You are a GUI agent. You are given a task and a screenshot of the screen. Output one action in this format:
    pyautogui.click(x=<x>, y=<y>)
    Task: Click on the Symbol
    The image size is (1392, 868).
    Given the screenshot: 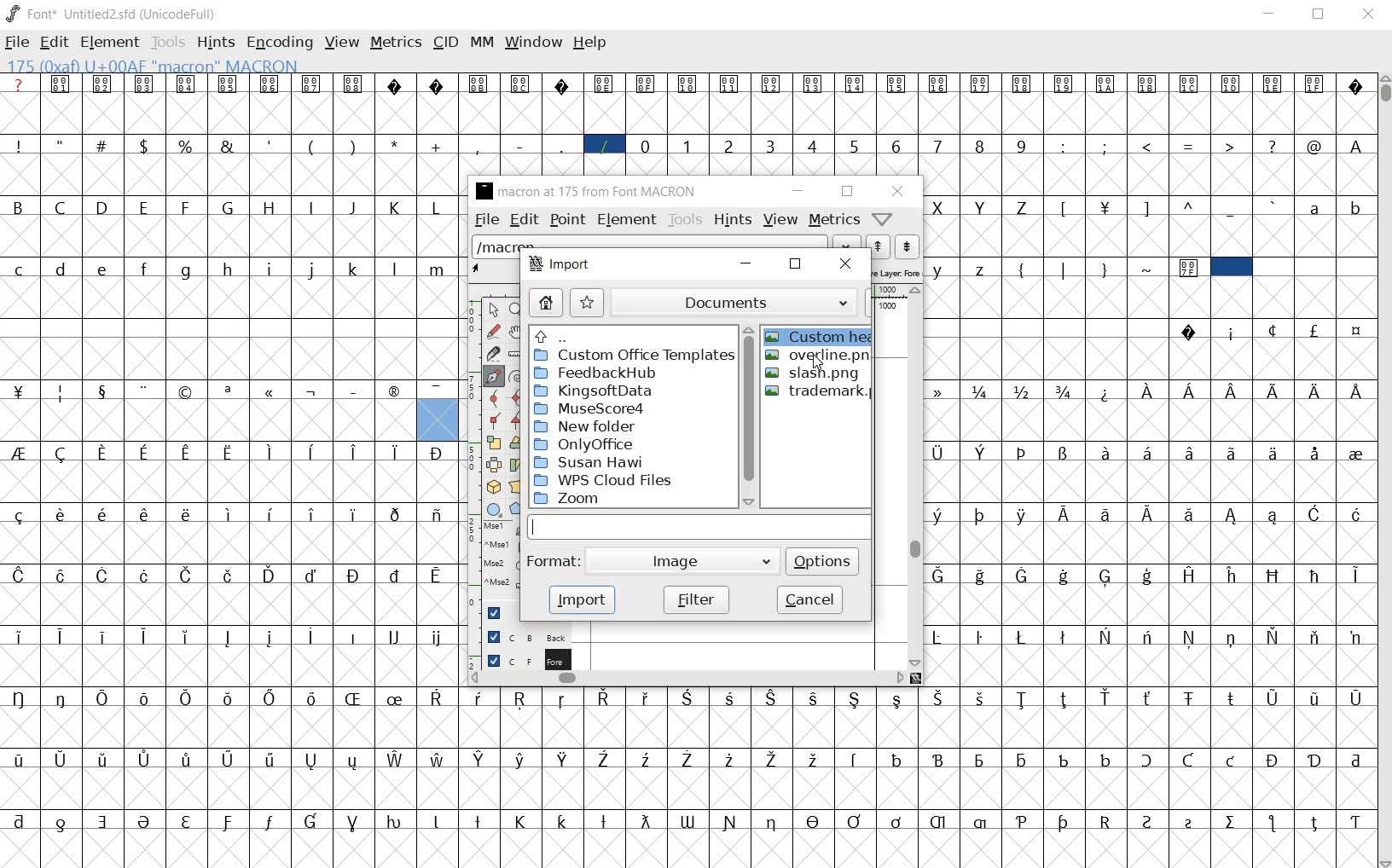 What is the action you would take?
    pyautogui.click(x=188, y=391)
    